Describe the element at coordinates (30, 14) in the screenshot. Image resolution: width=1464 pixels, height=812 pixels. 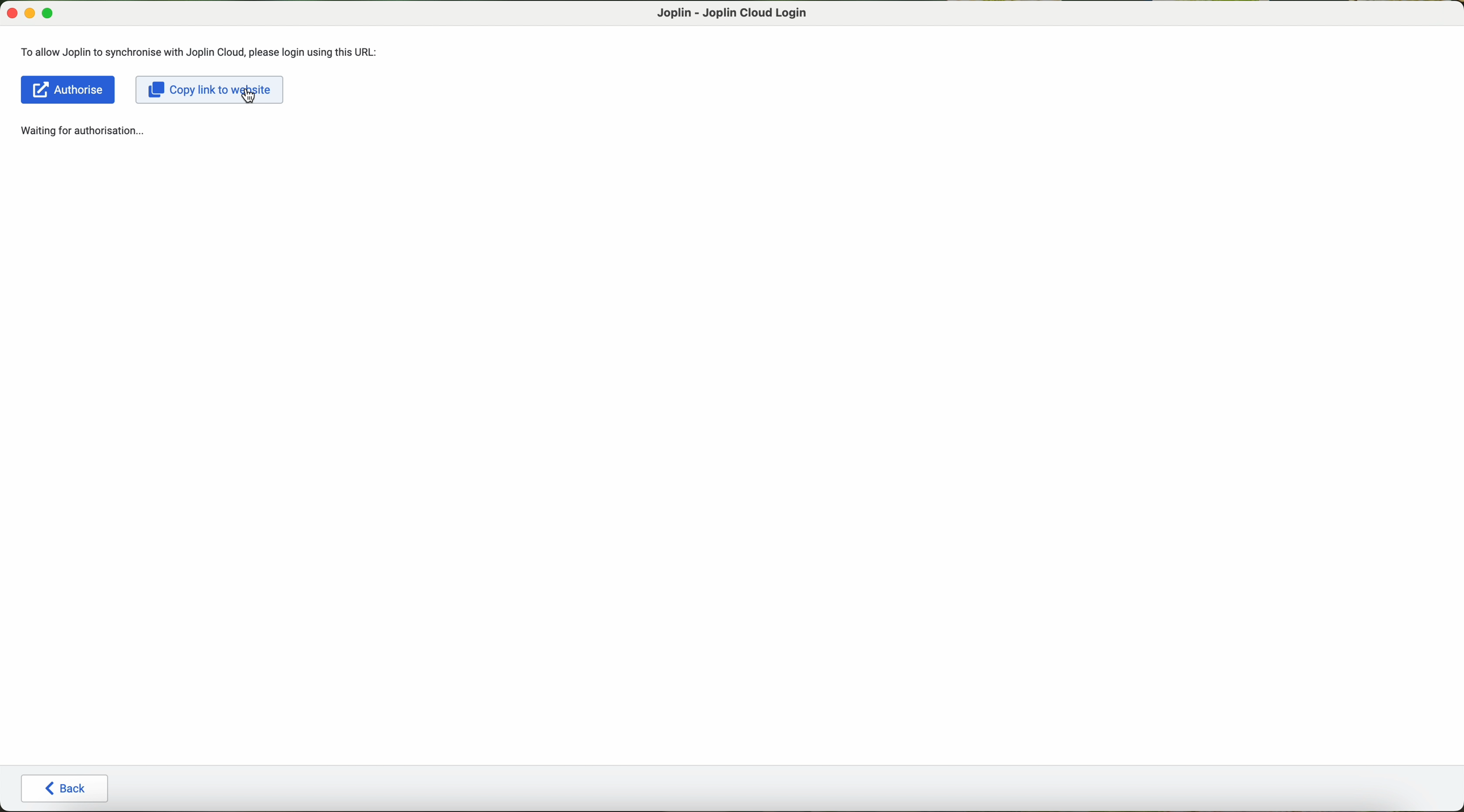
I see `minimize Joplin` at that location.